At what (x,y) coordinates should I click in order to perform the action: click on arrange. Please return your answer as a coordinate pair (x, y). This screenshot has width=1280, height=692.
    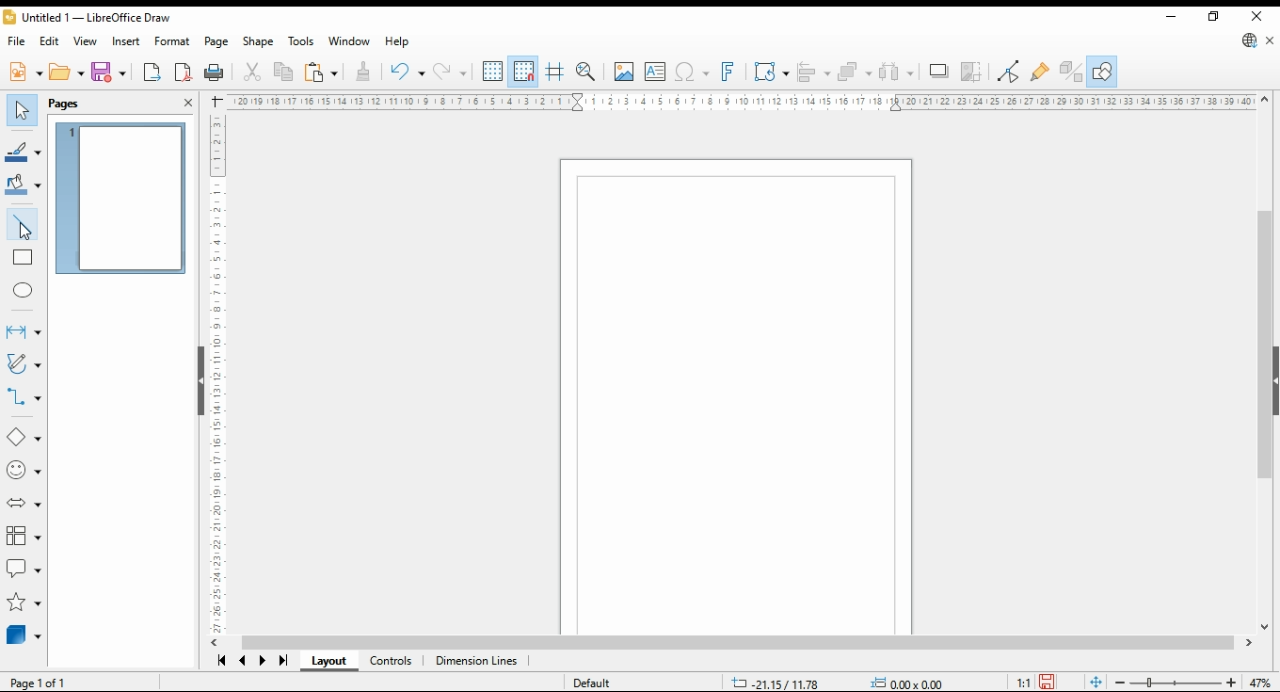
    Looking at the image, I should click on (855, 71).